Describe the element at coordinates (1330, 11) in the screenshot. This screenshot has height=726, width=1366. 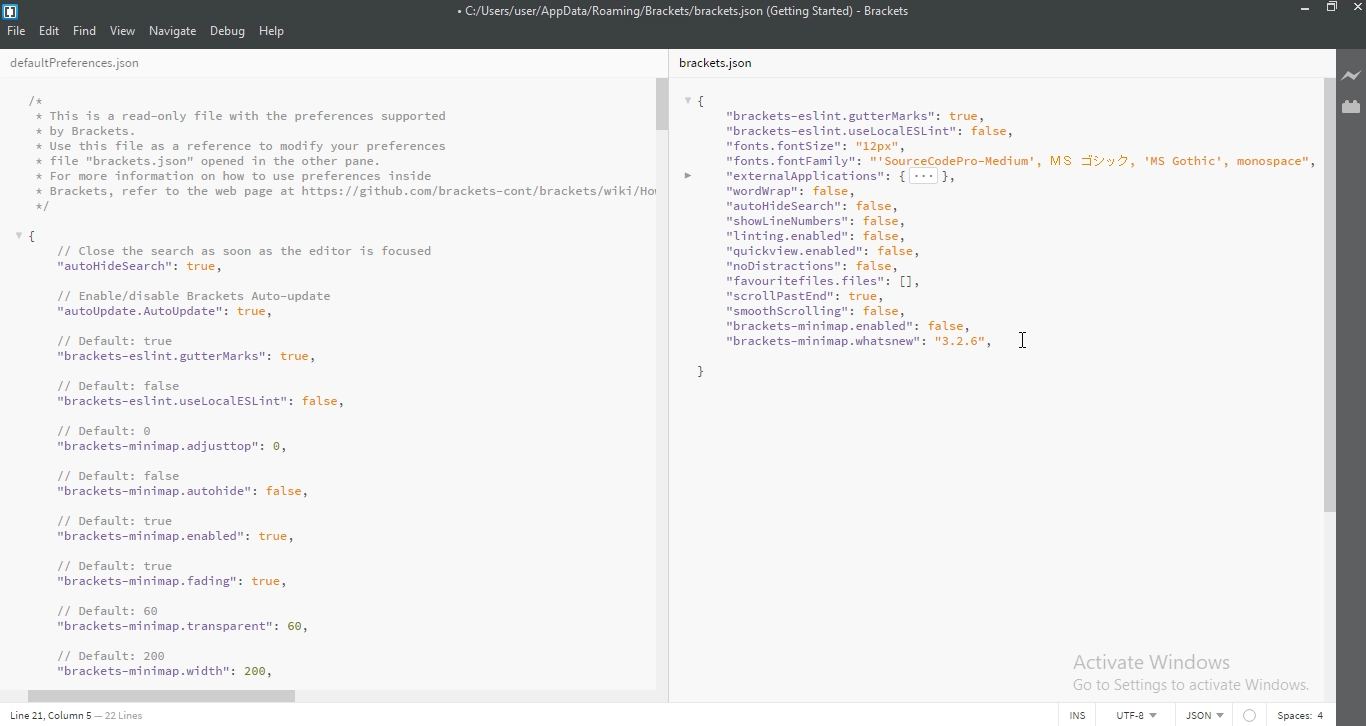
I see `restore` at that location.